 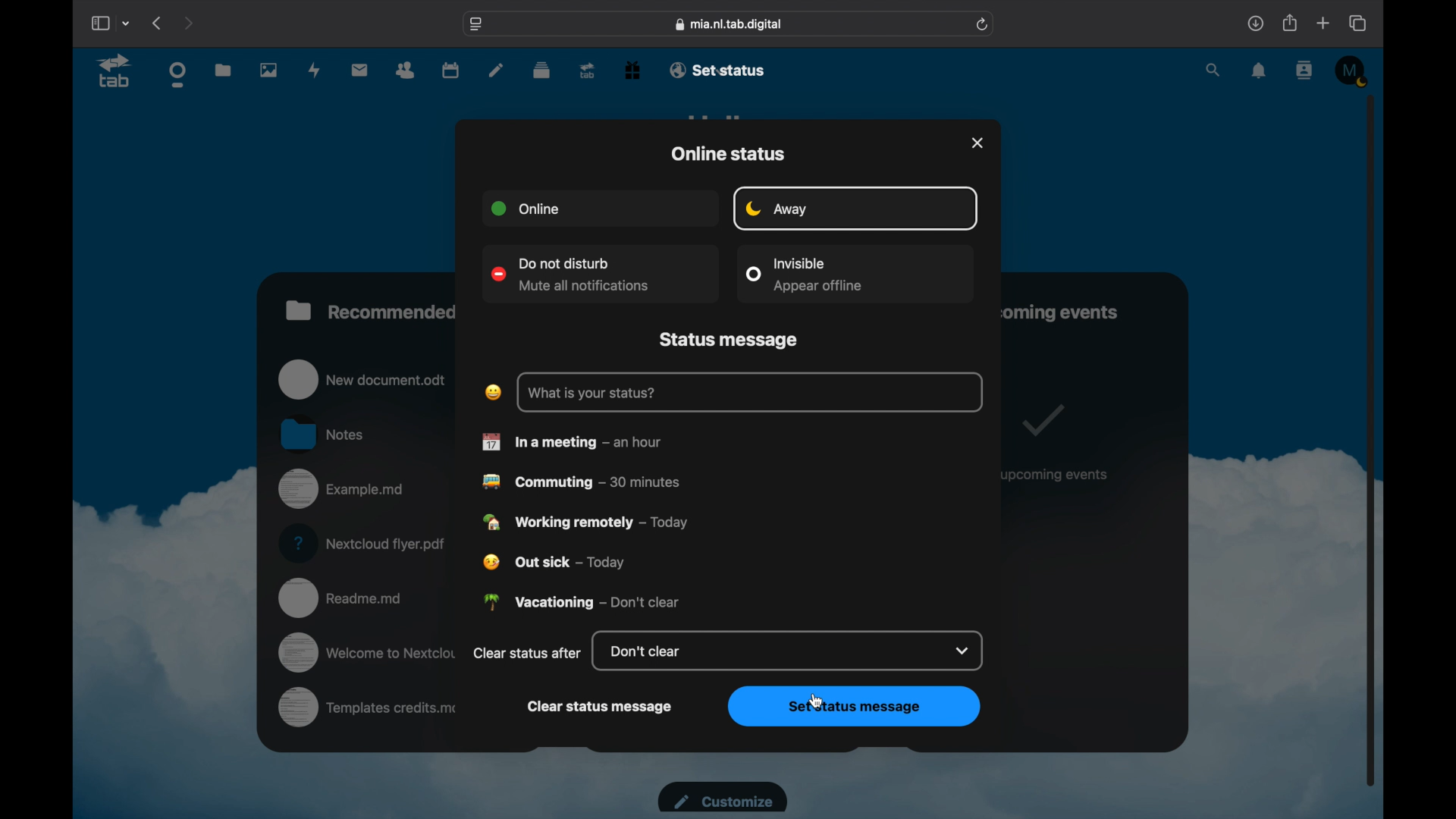 What do you see at coordinates (1305, 70) in the screenshot?
I see `contacts` at bounding box center [1305, 70].